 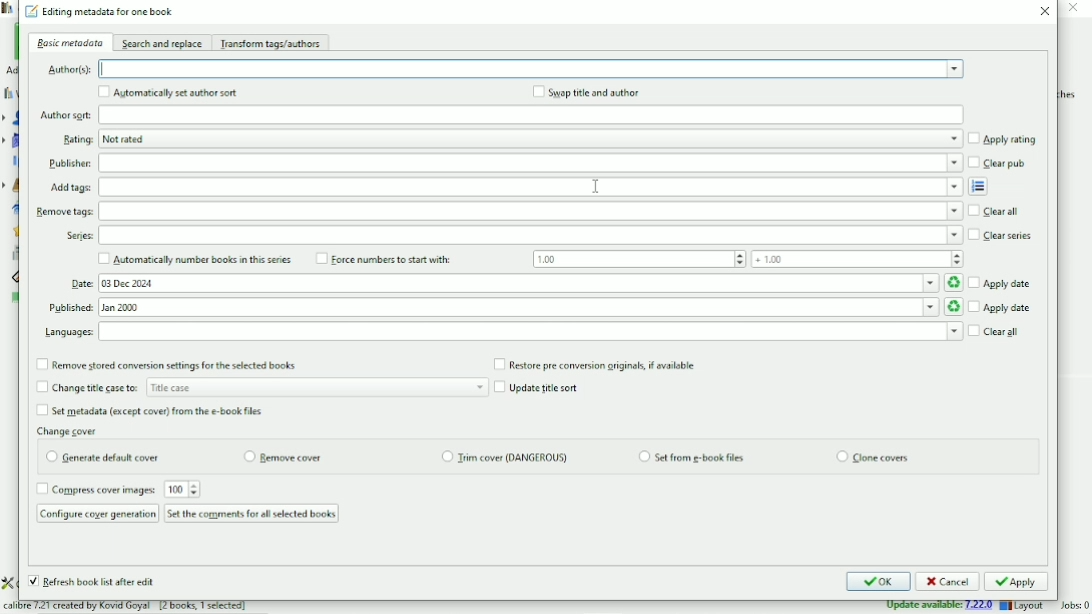 I want to click on Clear pub, so click(x=998, y=163).